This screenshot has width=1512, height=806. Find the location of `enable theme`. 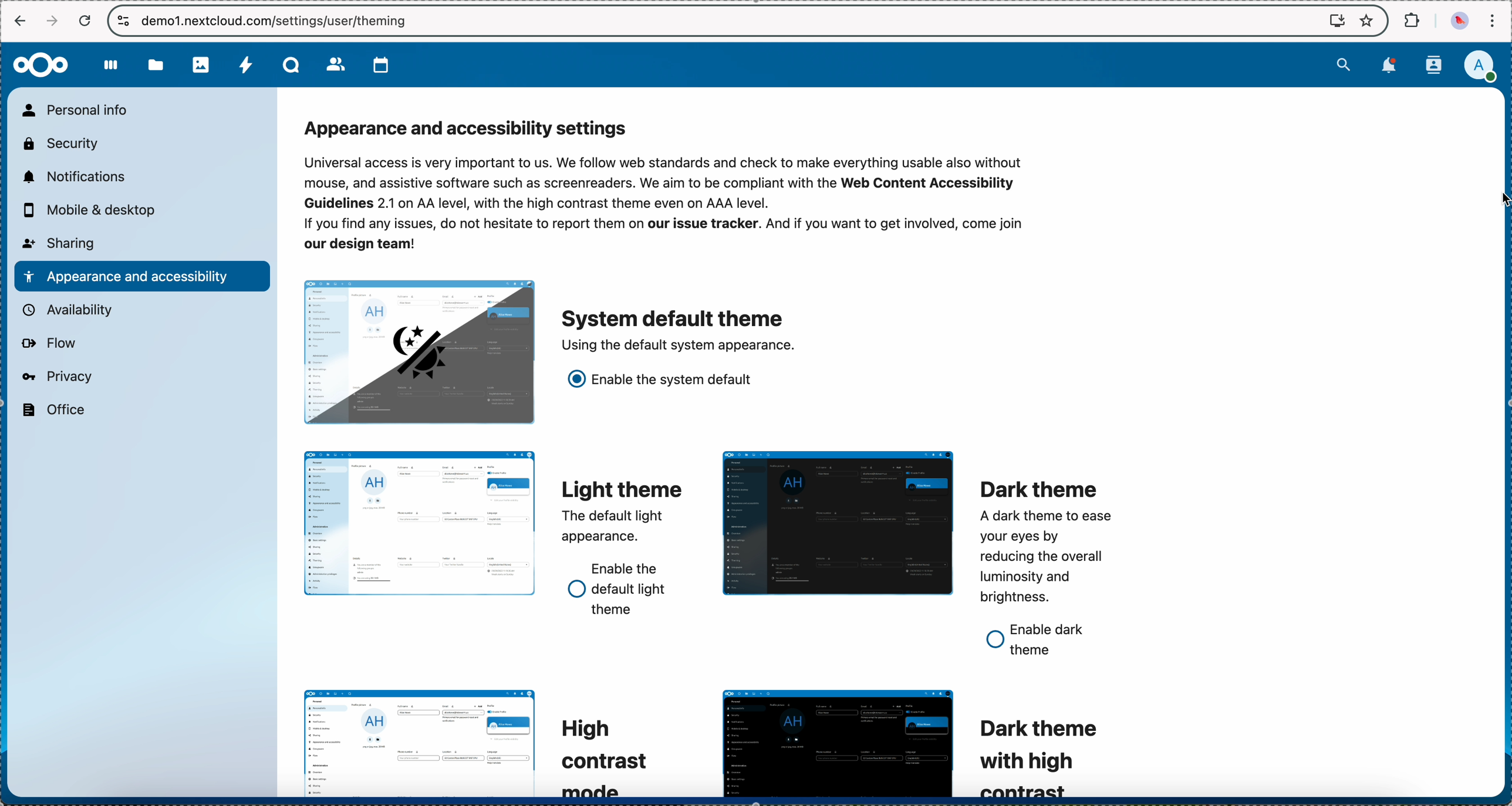

enable theme is located at coordinates (662, 385).